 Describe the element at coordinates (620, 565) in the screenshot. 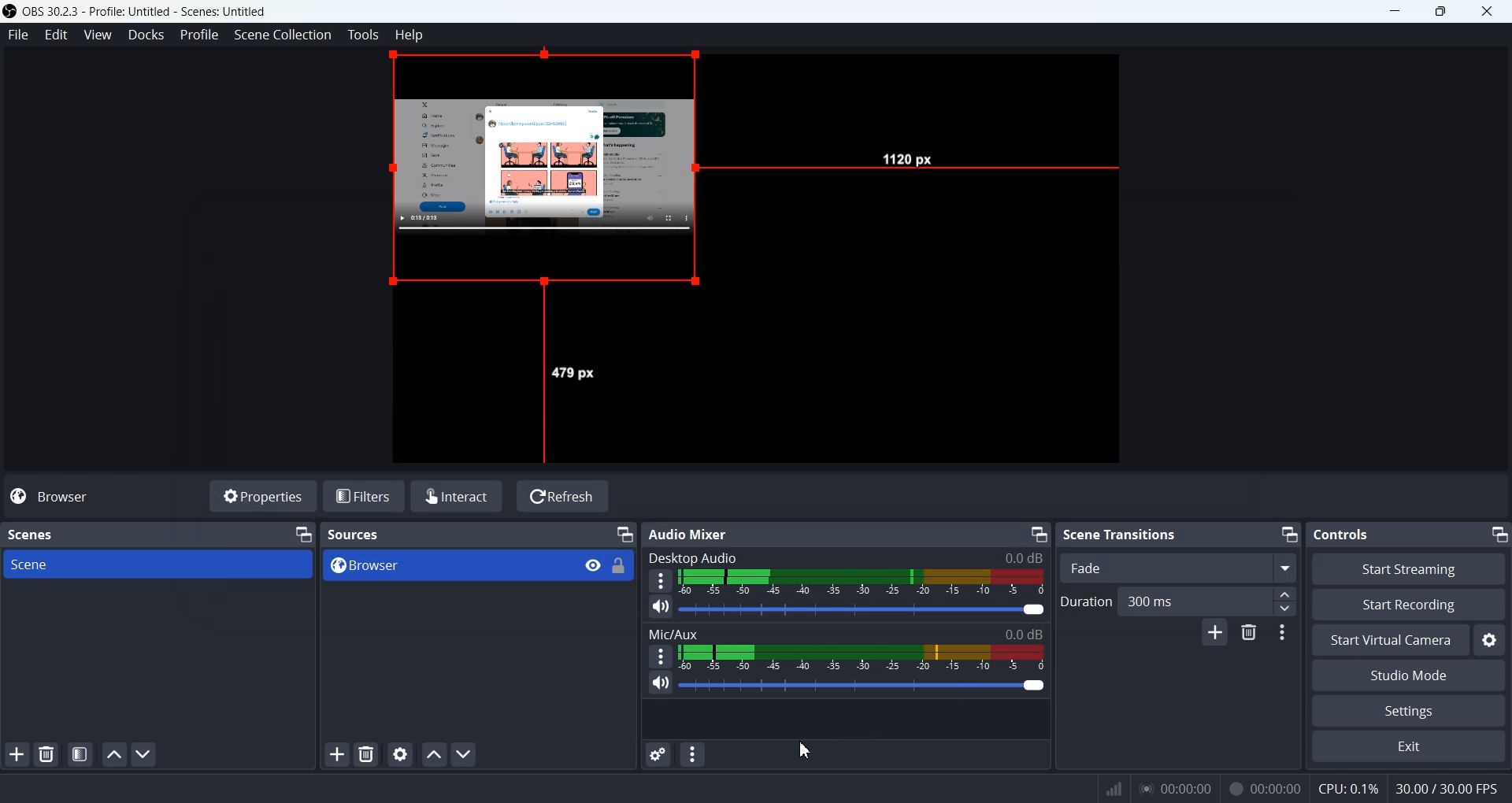

I see `Lock/ Unlock` at that location.